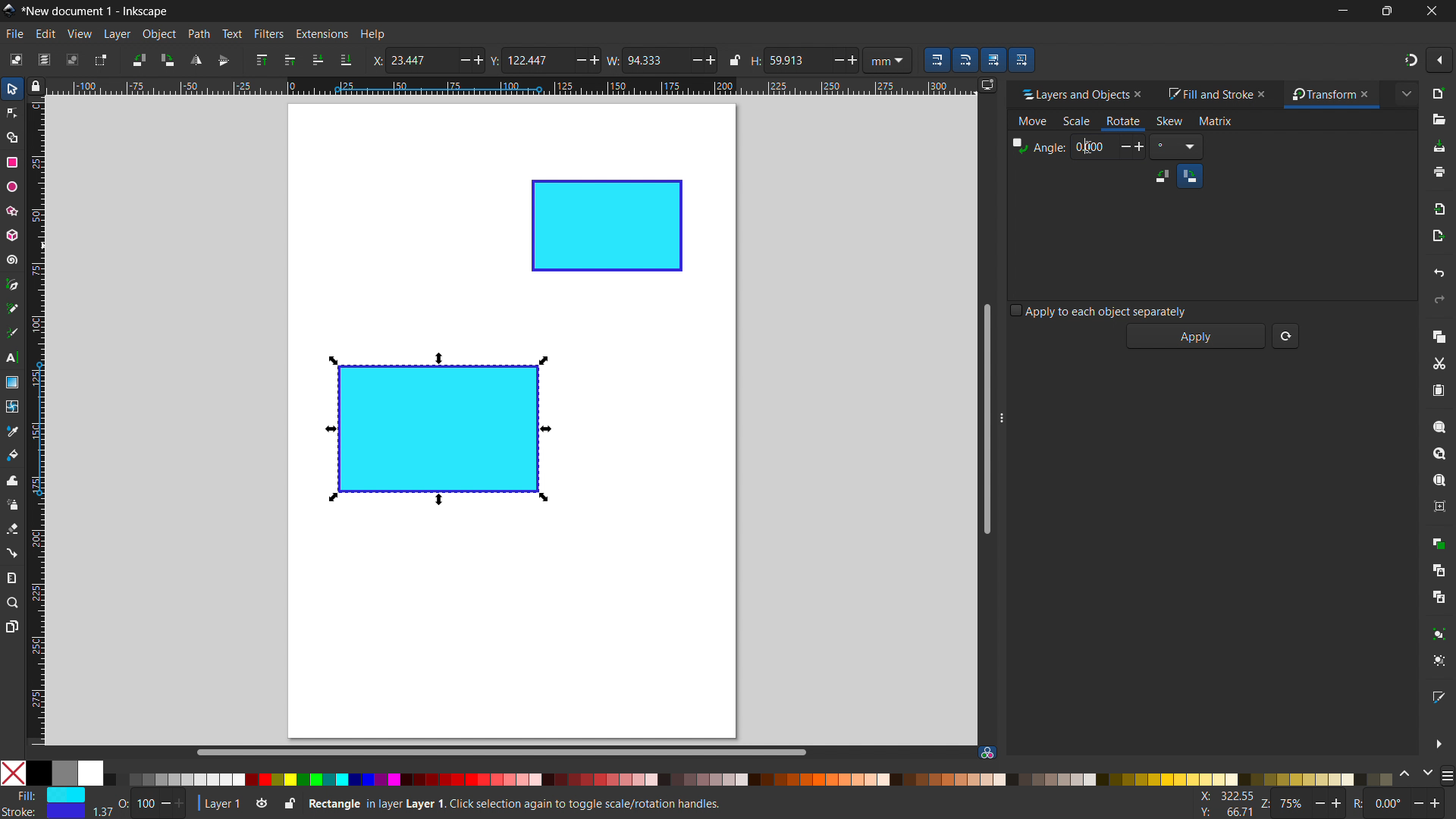  What do you see at coordinates (1430, 11) in the screenshot?
I see `close` at bounding box center [1430, 11].